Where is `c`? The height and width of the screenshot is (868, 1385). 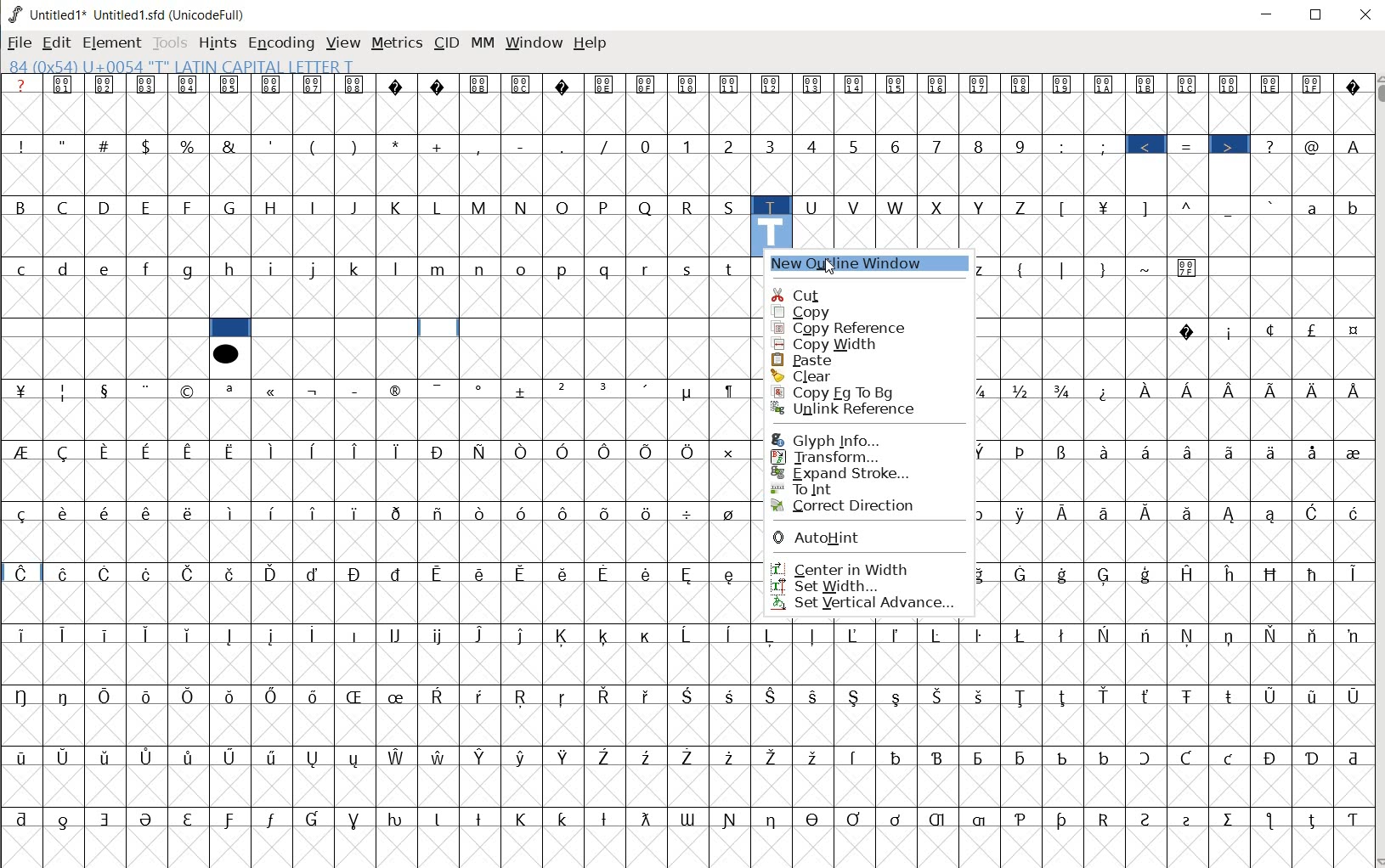 c is located at coordinates (21, 268).